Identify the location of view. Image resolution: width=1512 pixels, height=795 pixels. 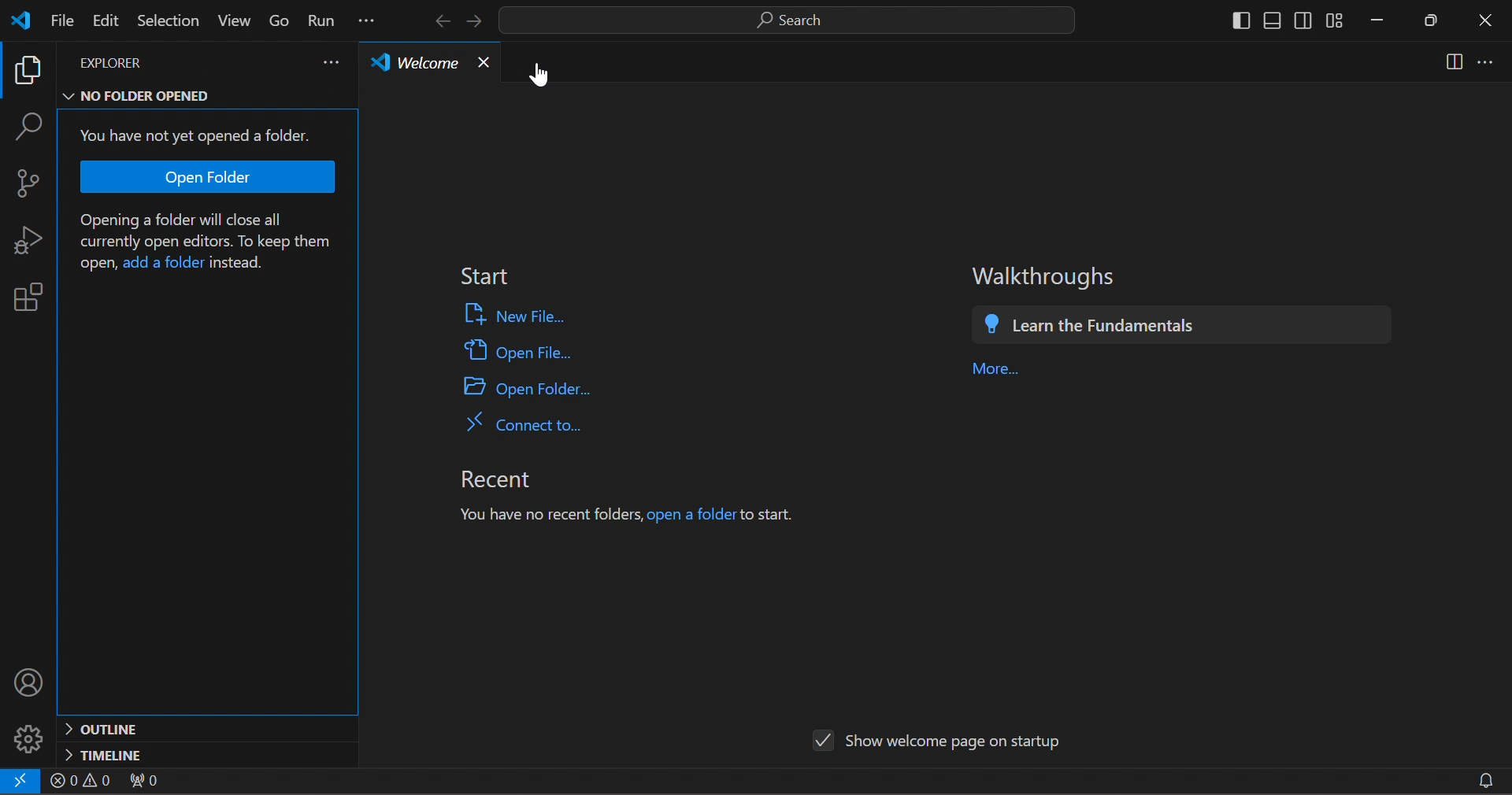
(235, 20).